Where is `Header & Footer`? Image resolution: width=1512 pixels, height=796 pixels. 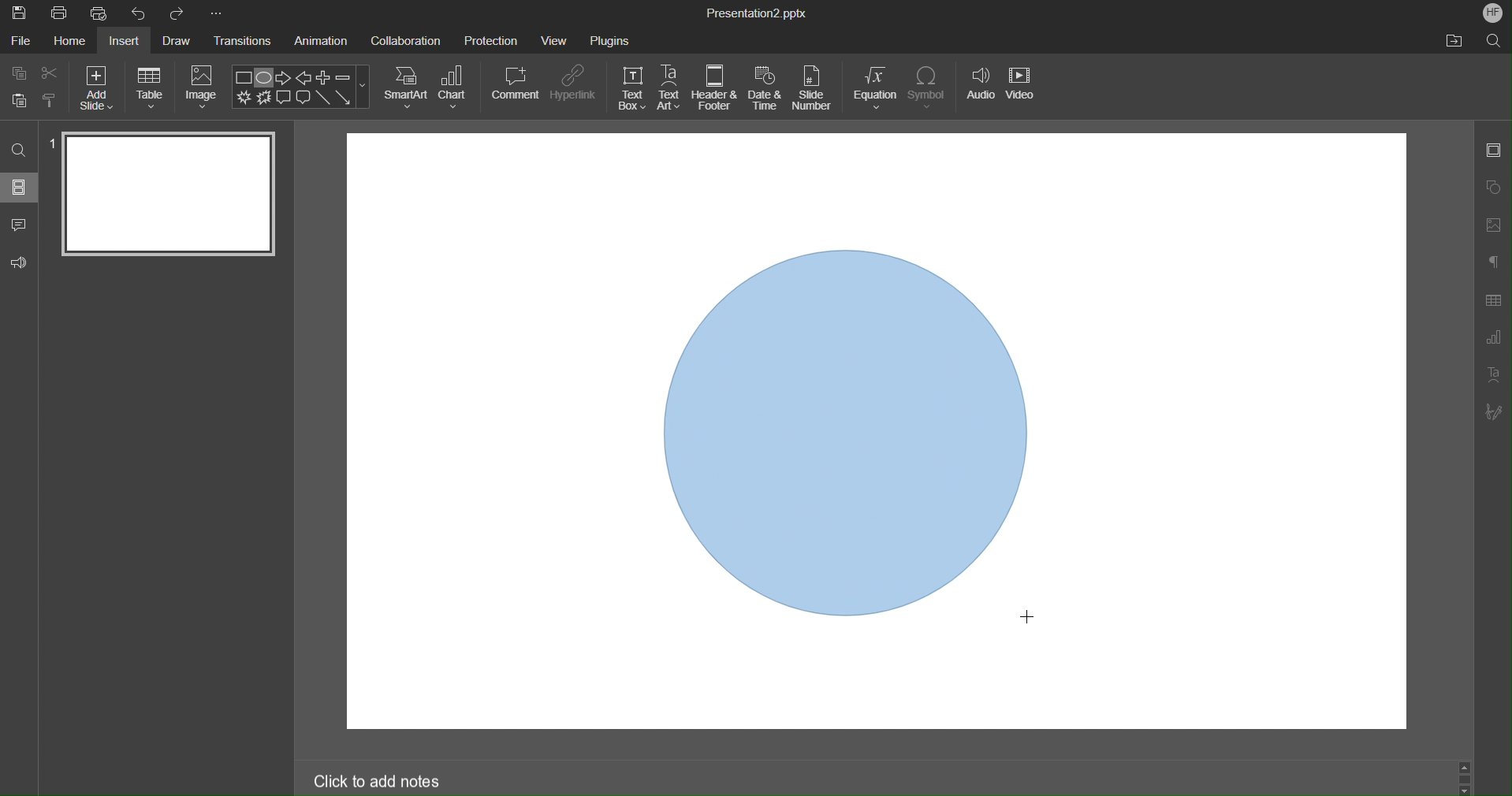 Header & Footer is located at coordinates (715, 88).